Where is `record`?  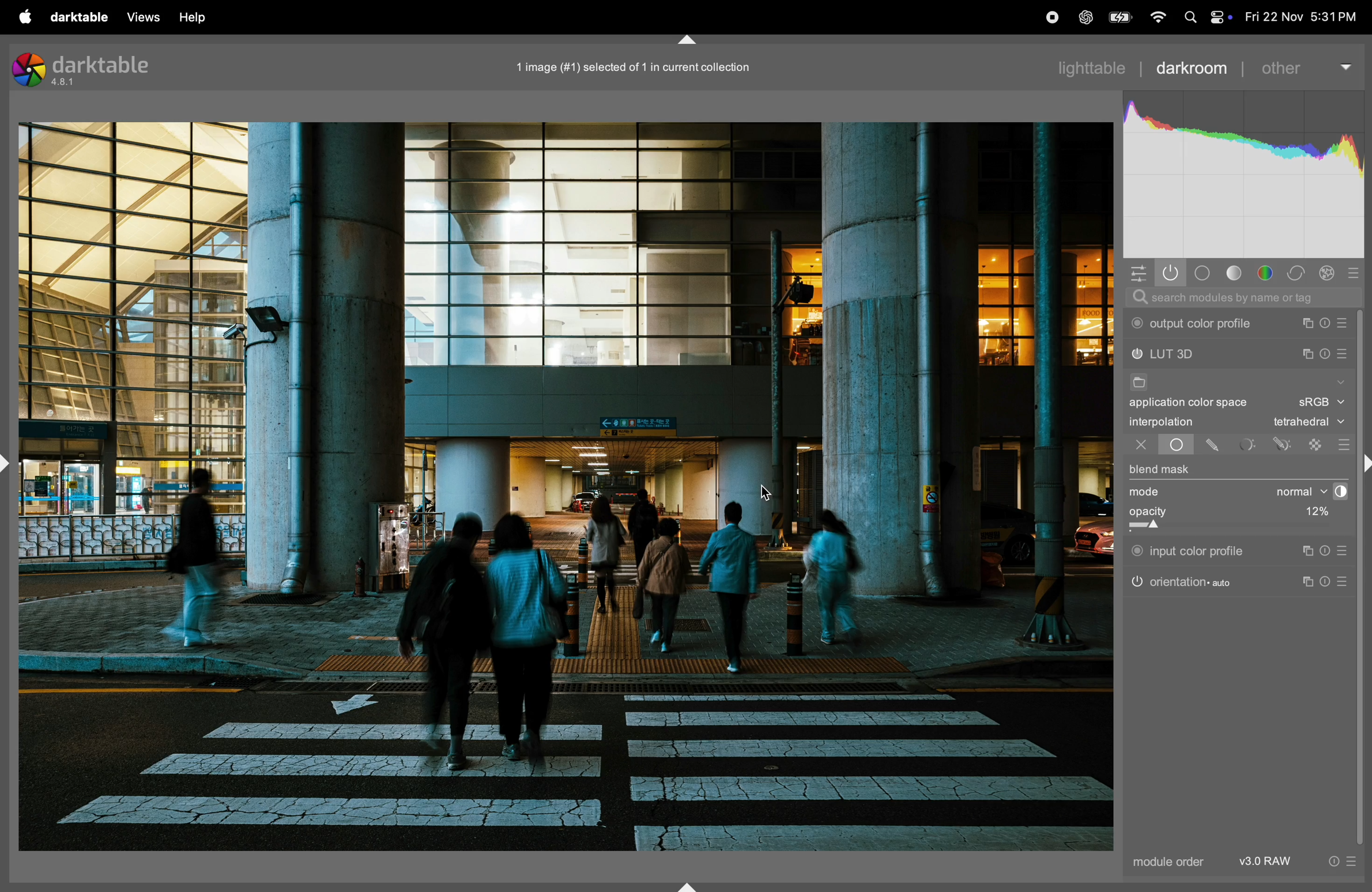
record is located at coordinates (1048, 18).